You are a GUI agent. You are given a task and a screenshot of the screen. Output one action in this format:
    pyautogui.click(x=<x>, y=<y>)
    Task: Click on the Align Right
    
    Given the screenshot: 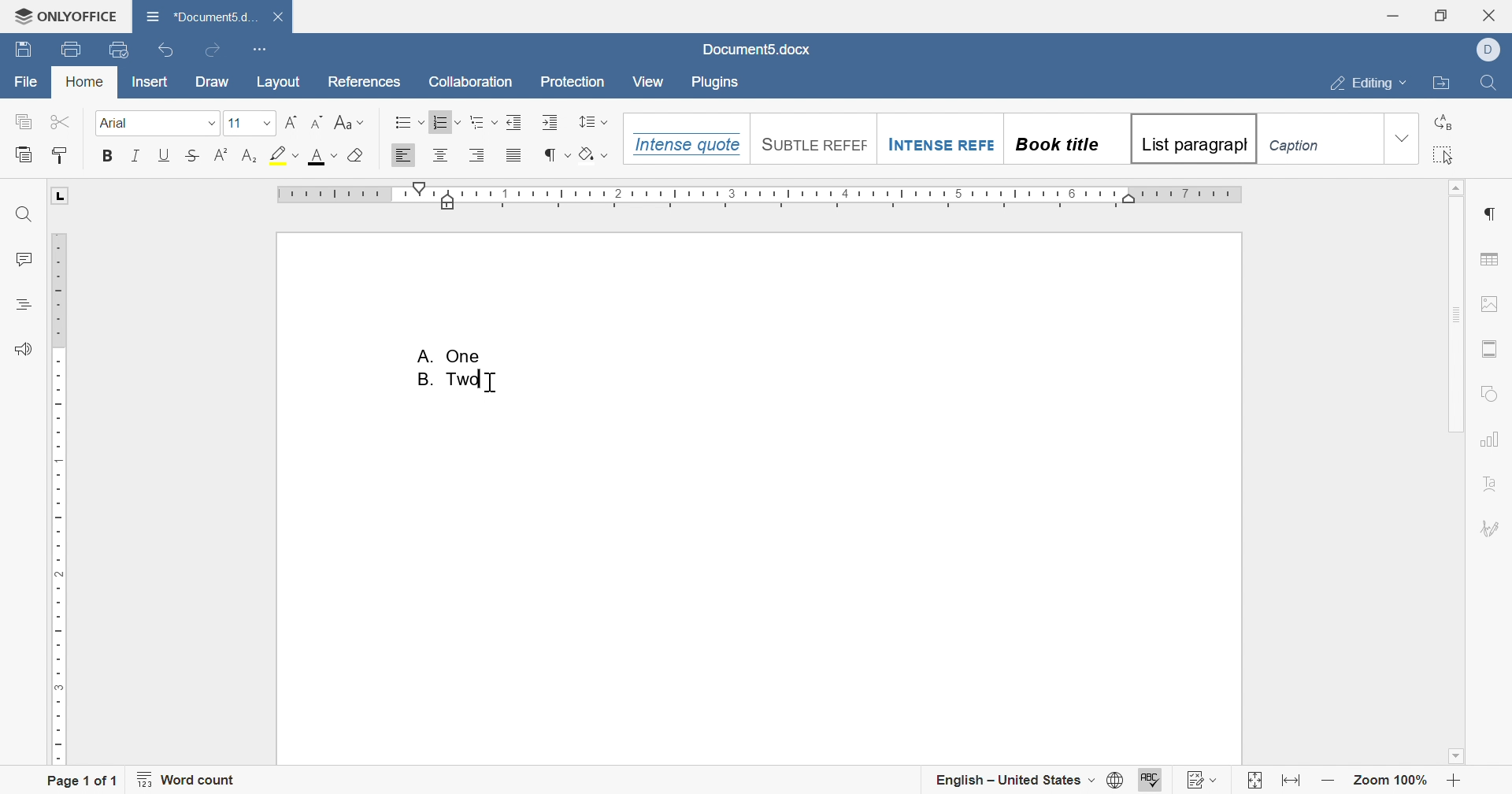 What is the action you would take?
    pyautogui.click(x=477, y=154)
    